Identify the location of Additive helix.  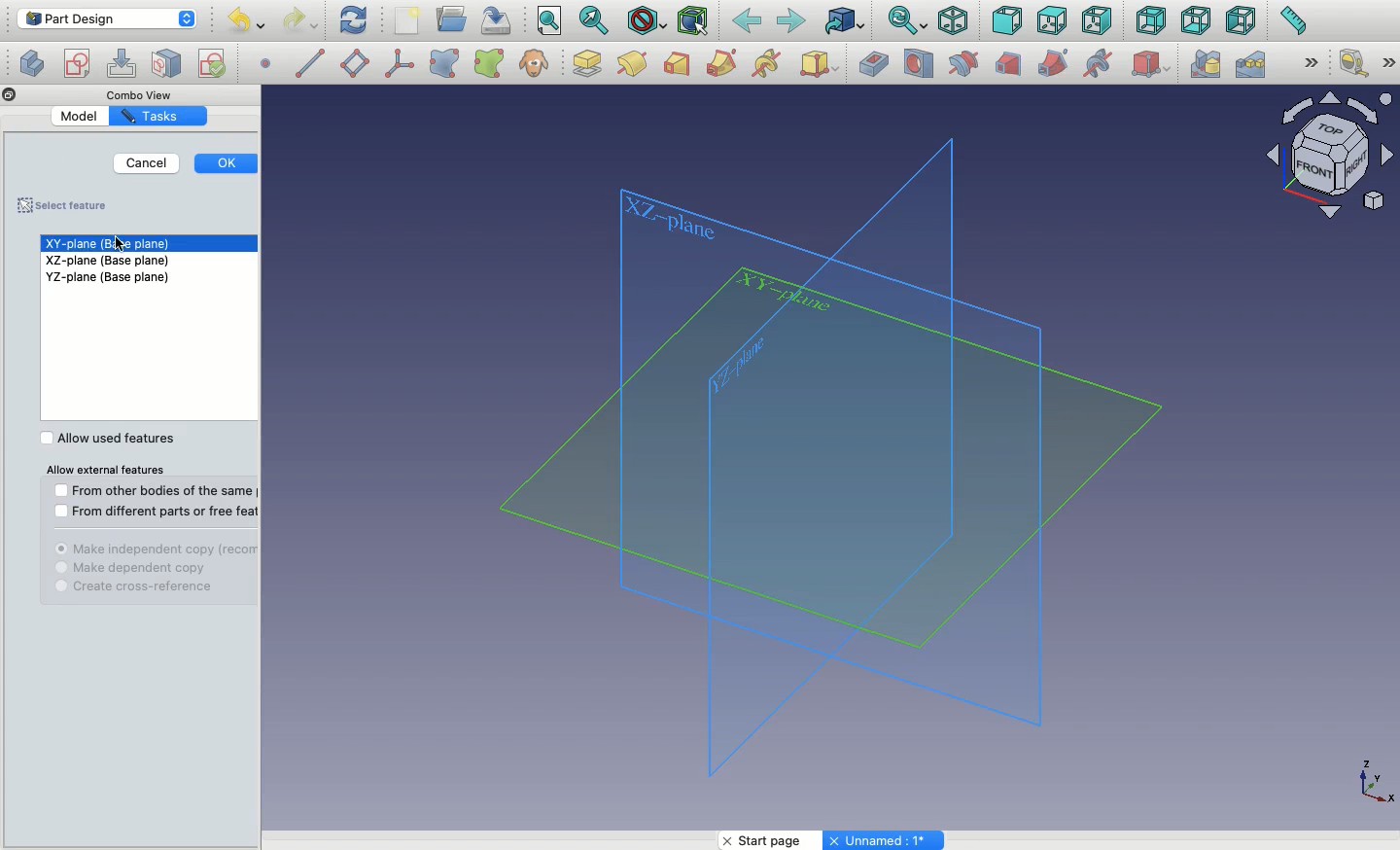
(765, 65).